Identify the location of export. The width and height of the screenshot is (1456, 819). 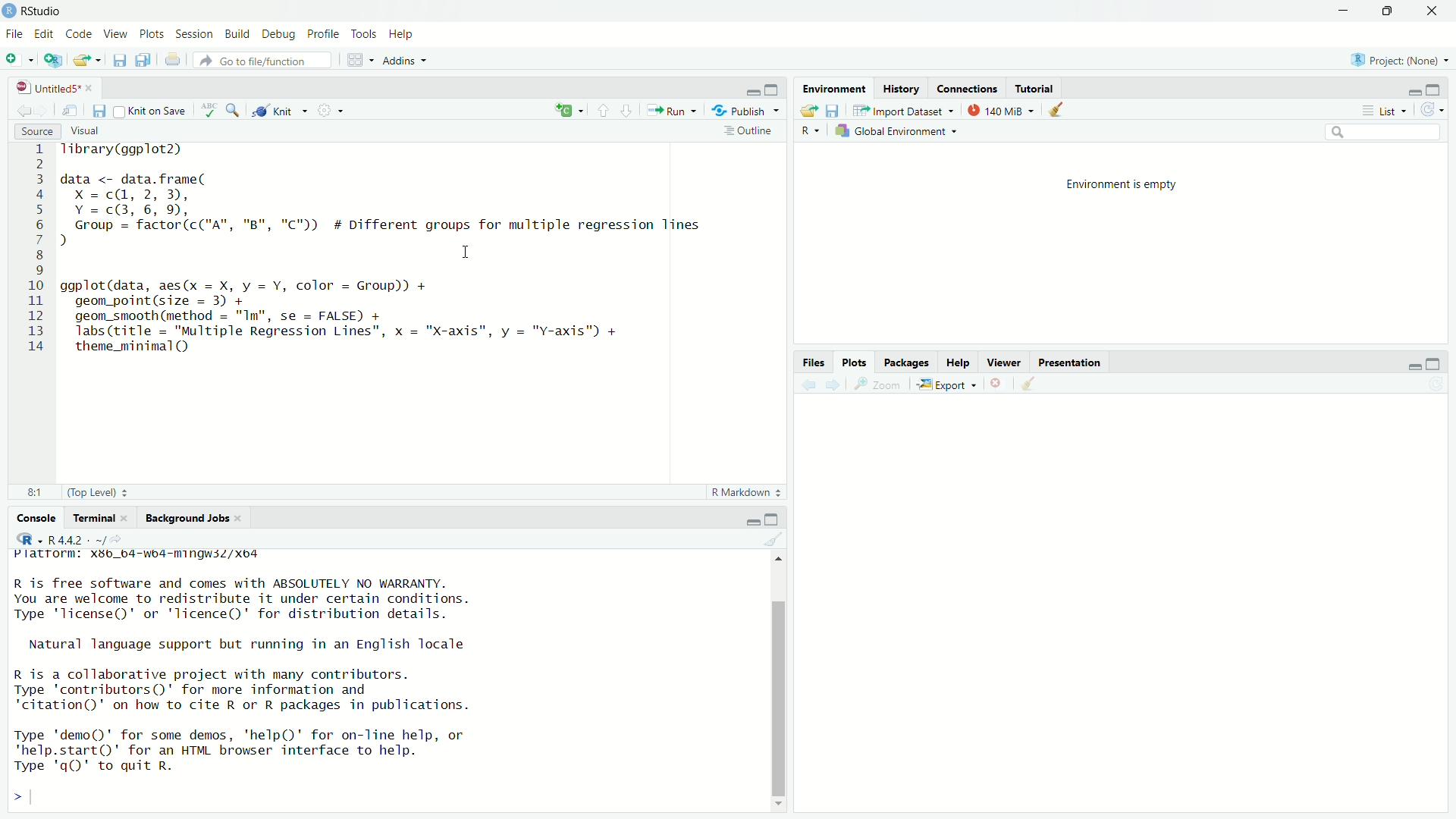
(85, 62).